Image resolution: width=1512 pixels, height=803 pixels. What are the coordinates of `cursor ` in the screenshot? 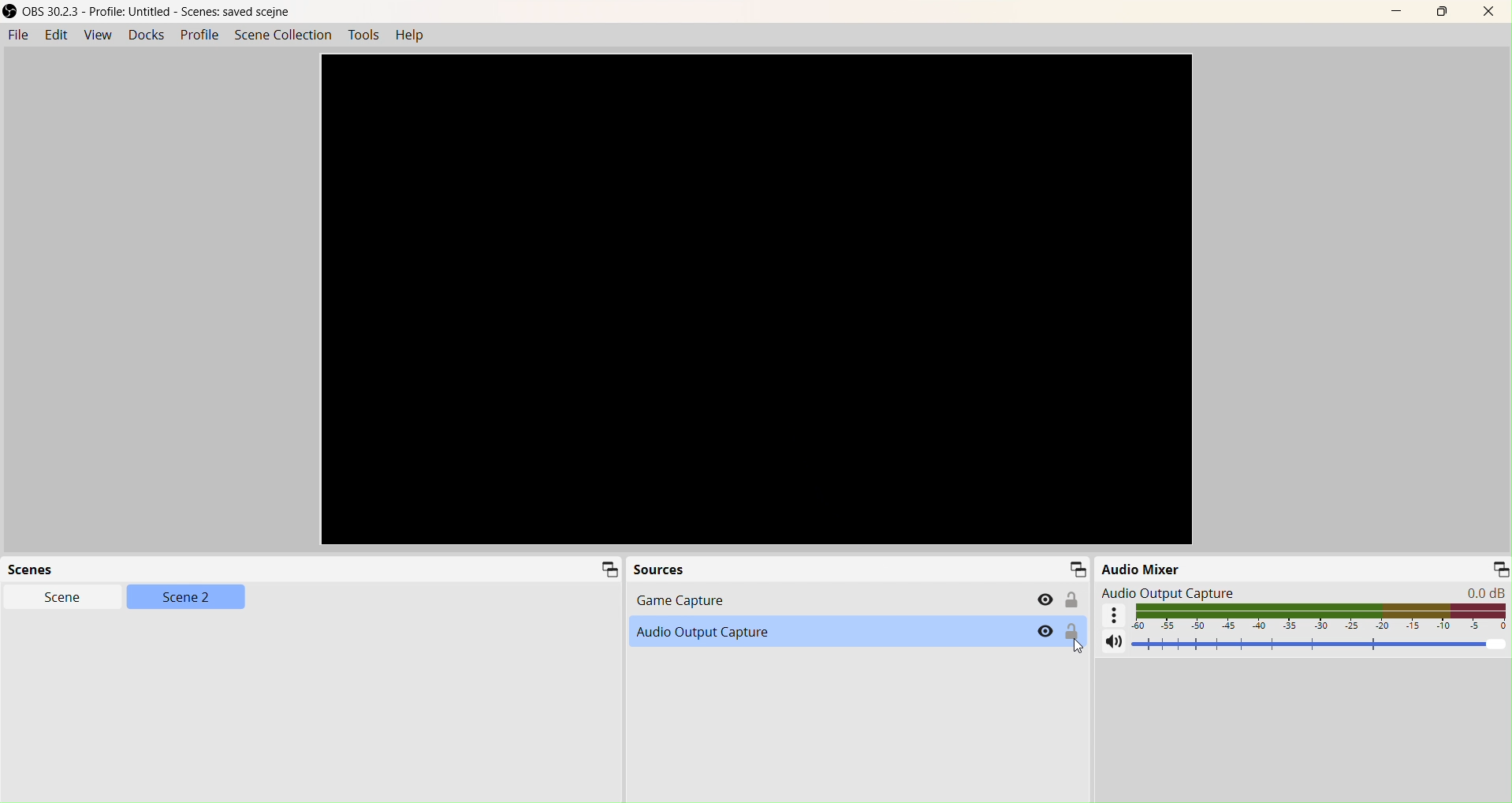 It's located at (1071, 646).